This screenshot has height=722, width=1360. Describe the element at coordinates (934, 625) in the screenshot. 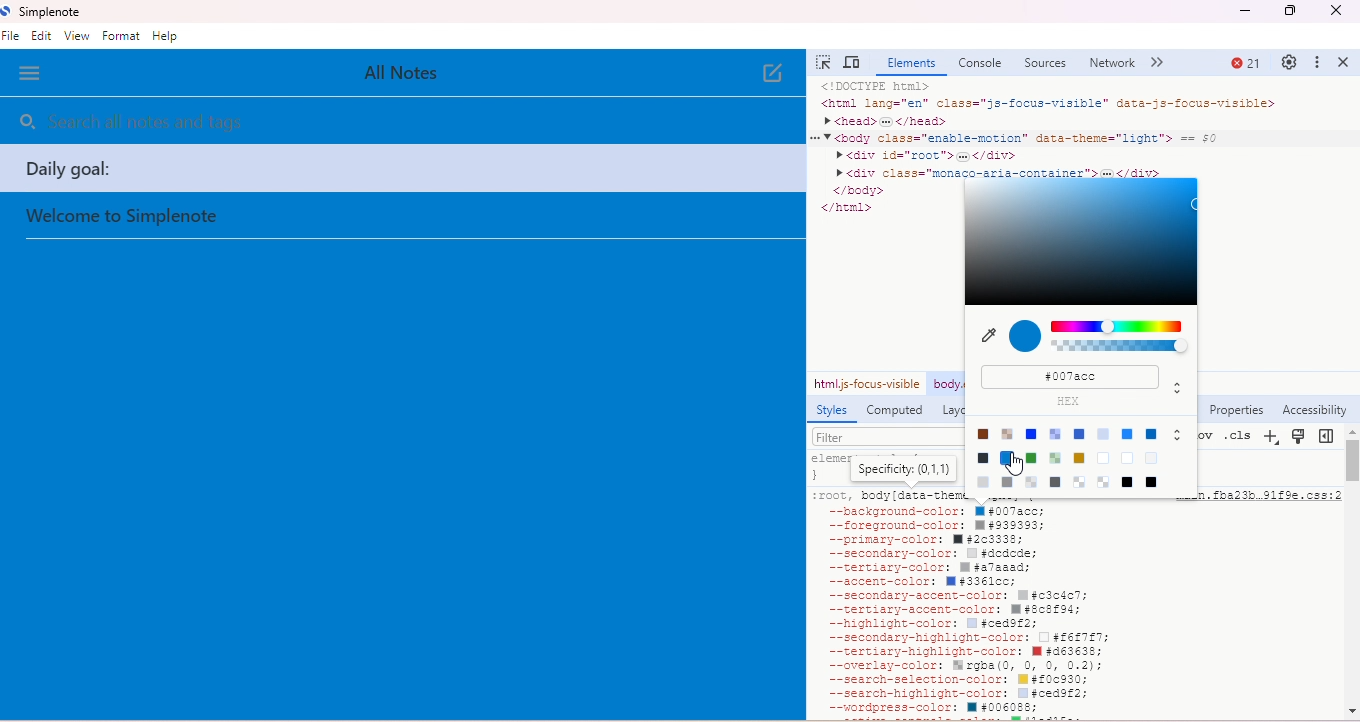

I see `highlight-color` at that location.